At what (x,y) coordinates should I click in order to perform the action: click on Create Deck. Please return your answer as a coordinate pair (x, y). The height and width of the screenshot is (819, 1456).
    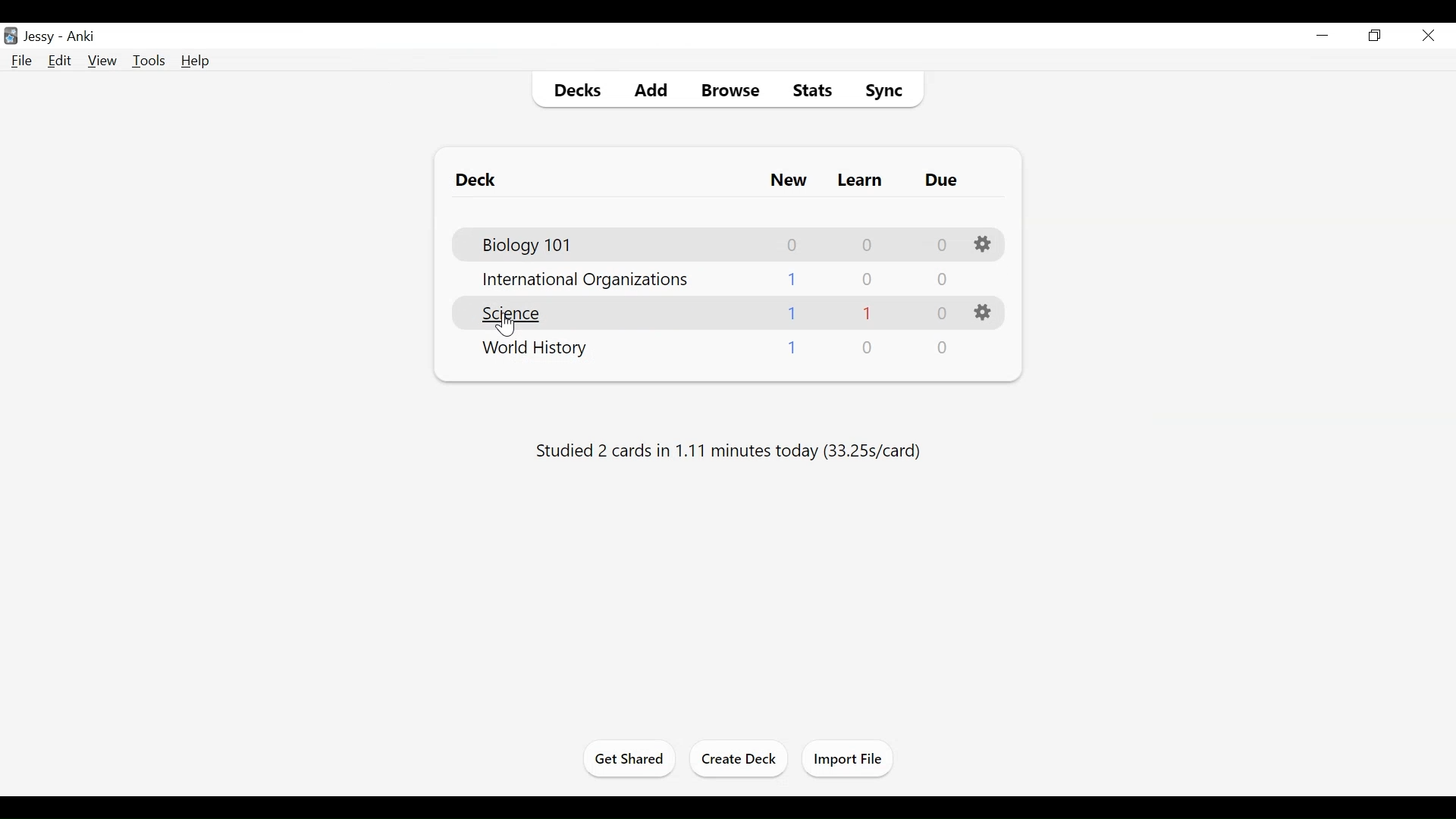
    Looking at the image, I should click on (736, 758).